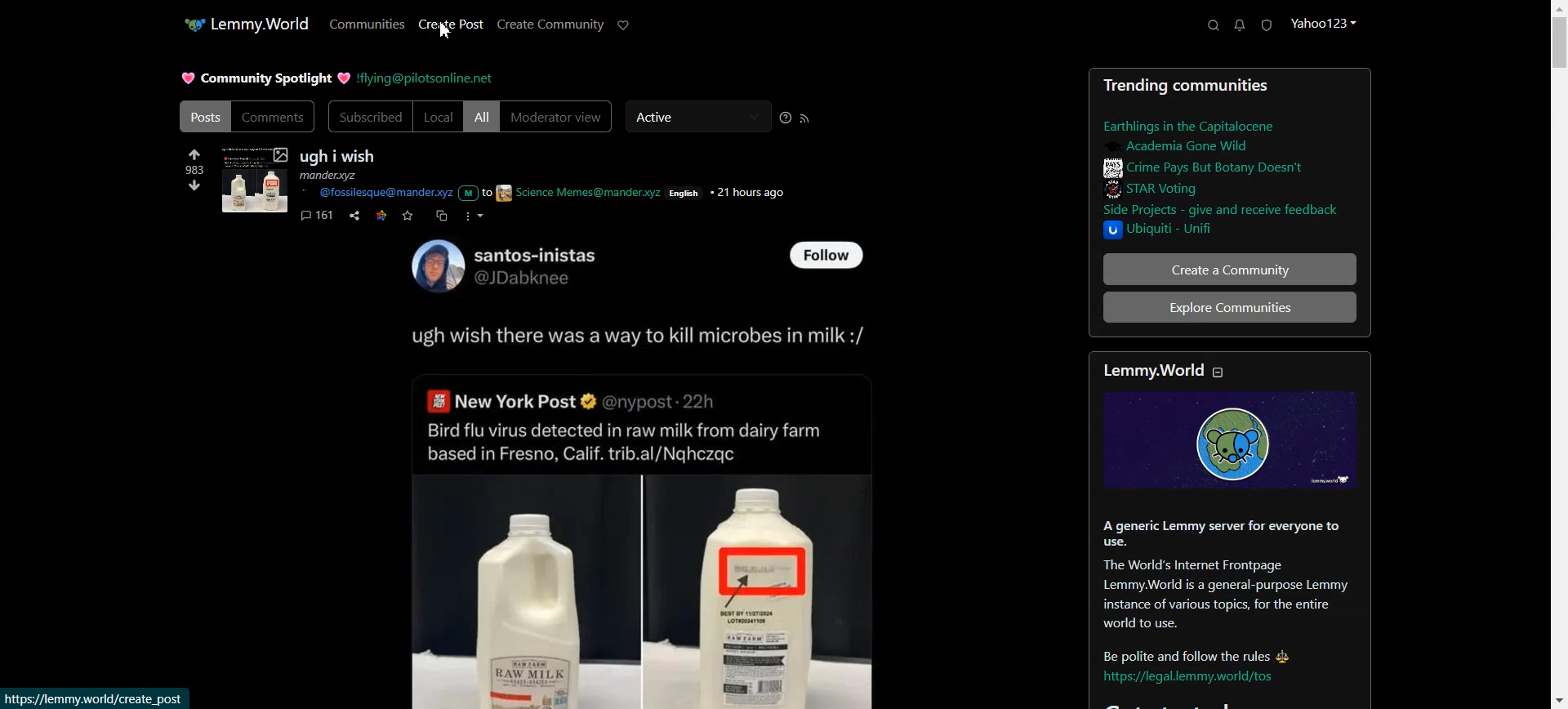  Describe the element at coordinates (367, 24) in the screenshot. I see `Communities` at that location.